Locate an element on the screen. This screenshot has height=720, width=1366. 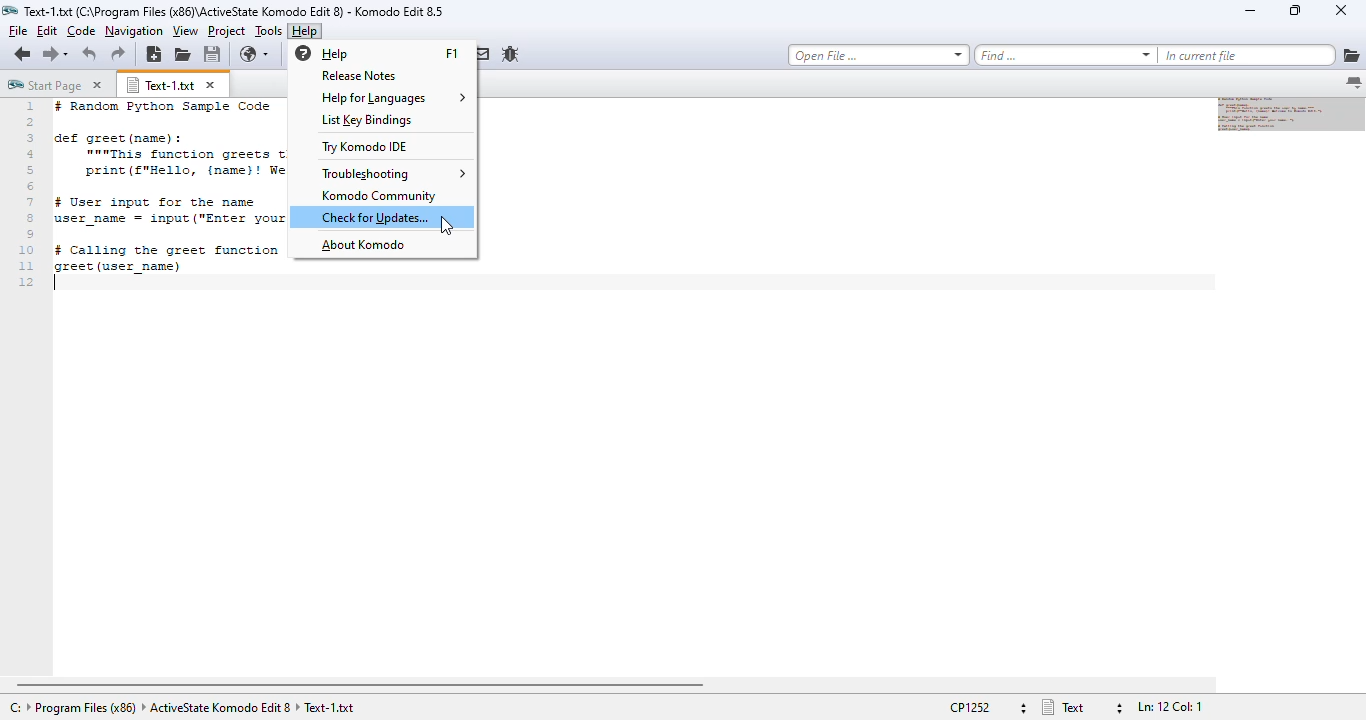
recent locations is located at coordinates (68, 53).